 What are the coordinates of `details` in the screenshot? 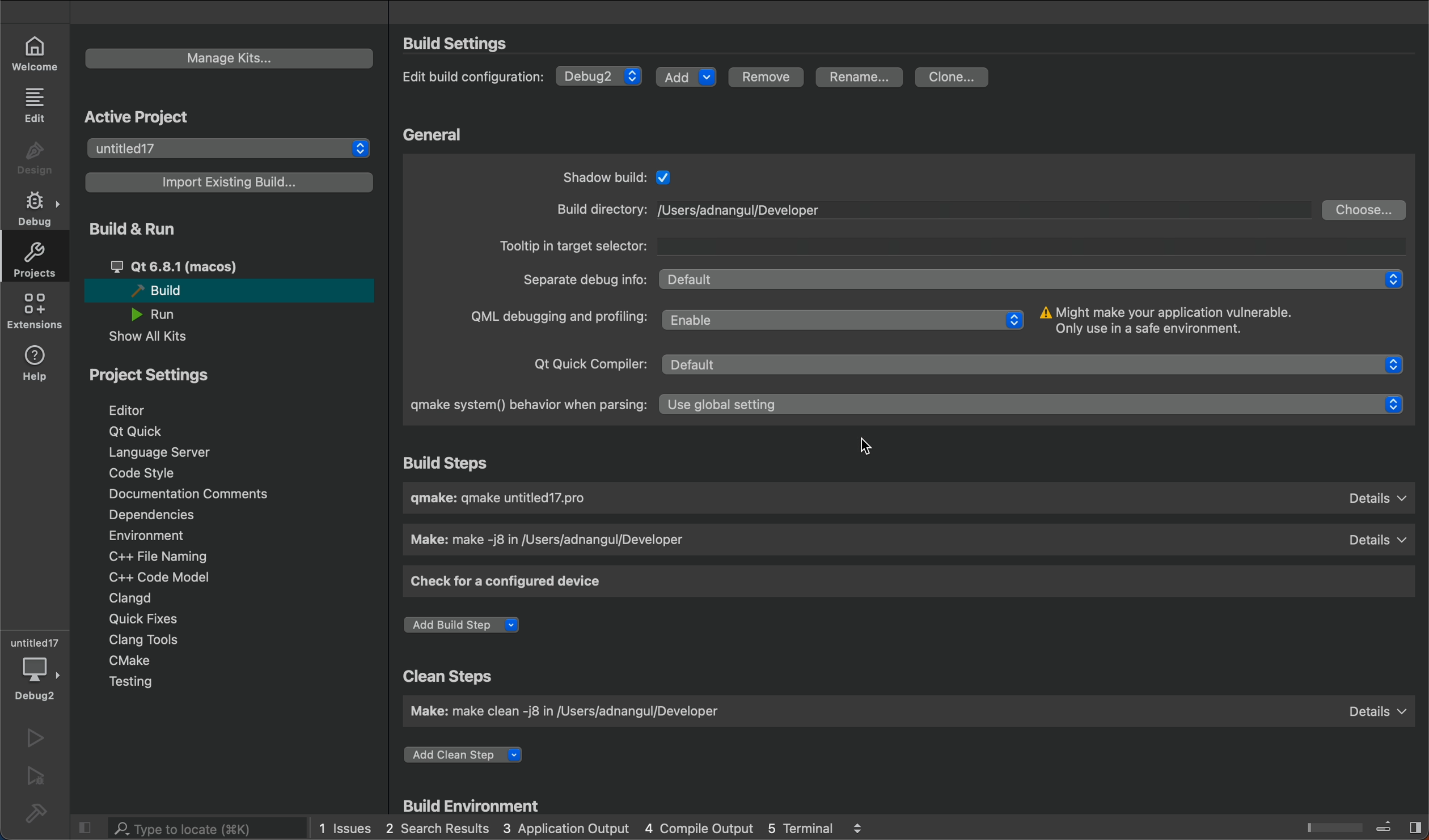 It's located at (1381, 500).